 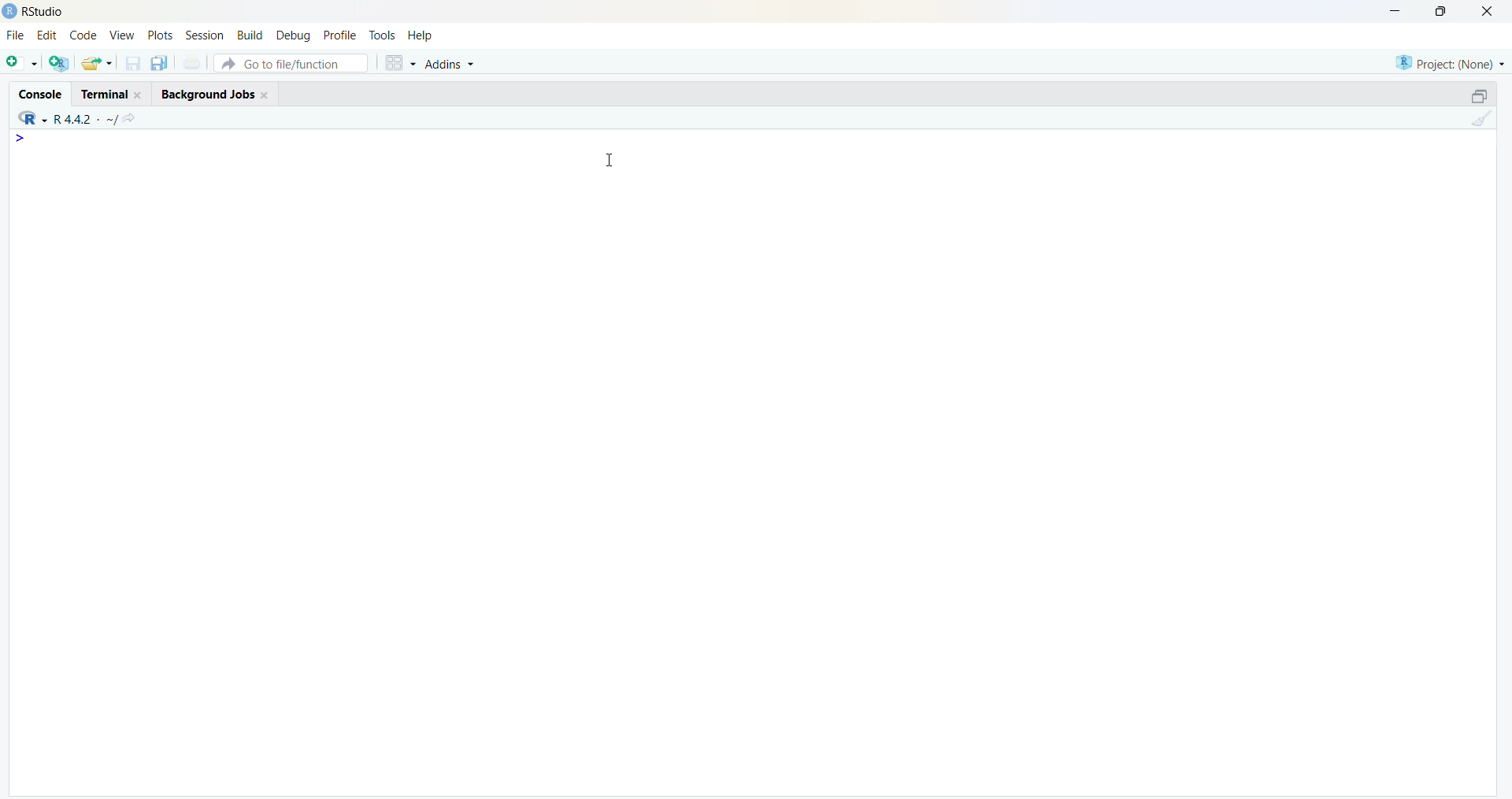 I want to click on open file as, so click(x=23, y=64).